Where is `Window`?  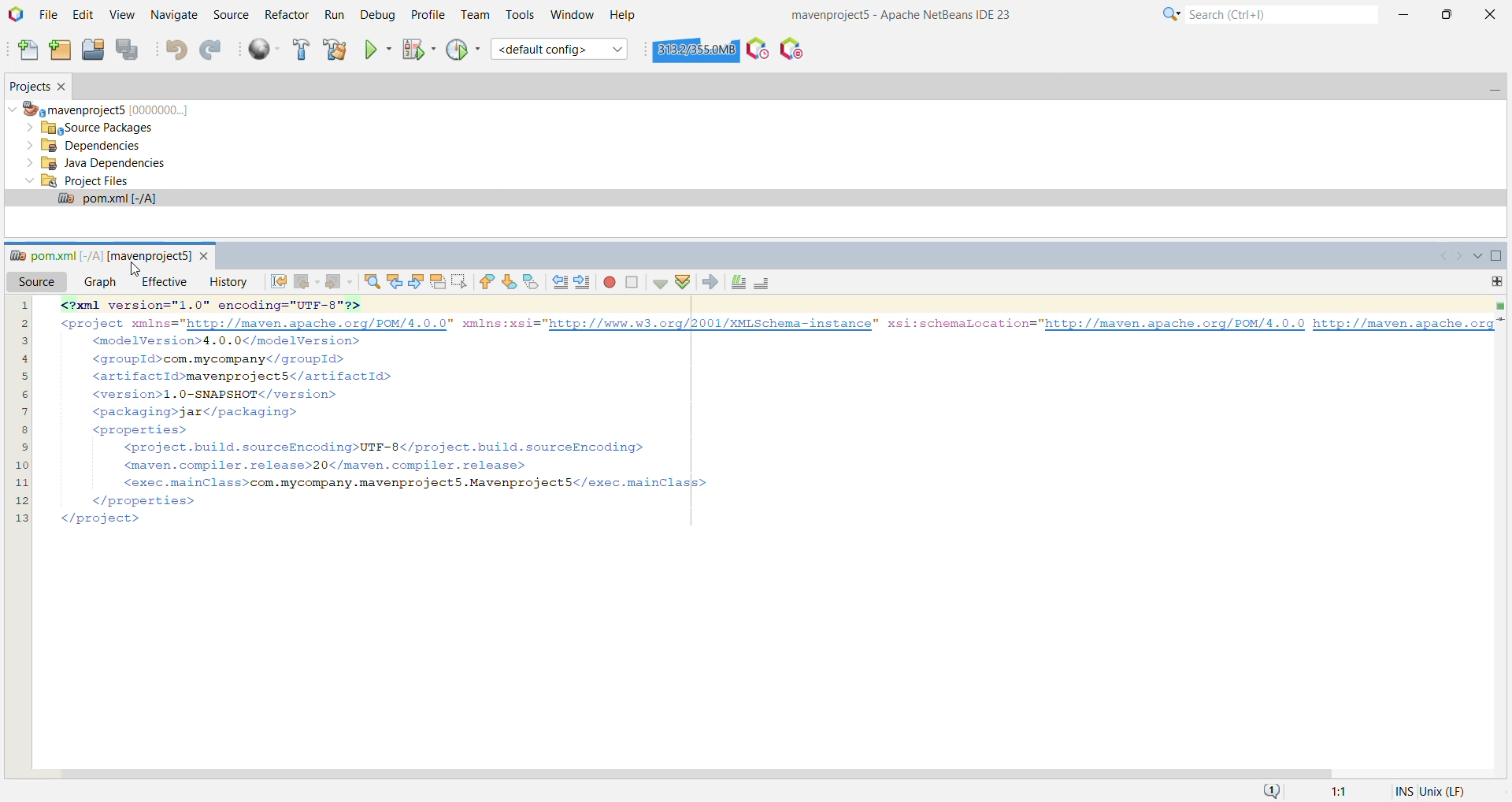 Window is located at coordinates (569, 13).